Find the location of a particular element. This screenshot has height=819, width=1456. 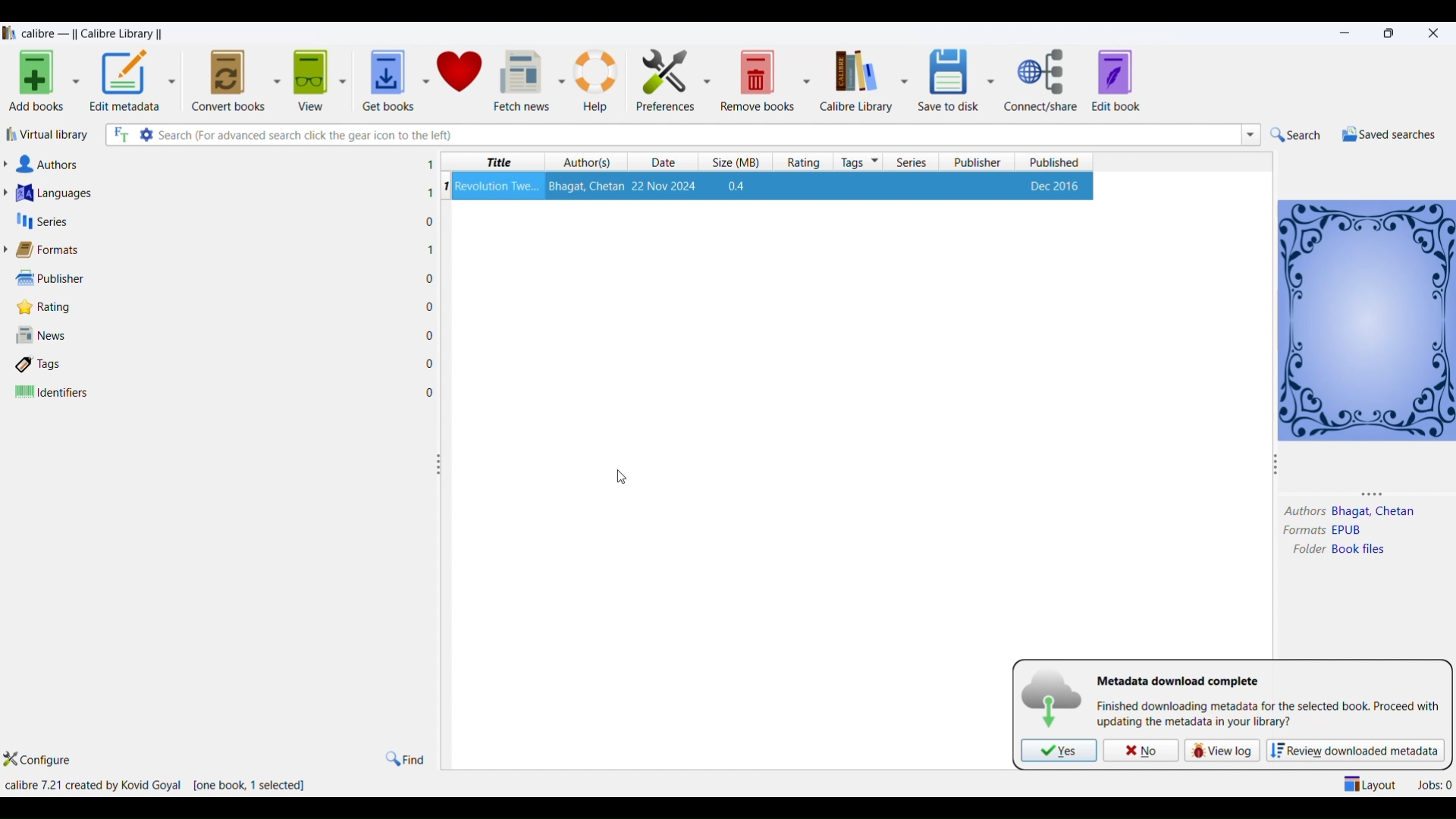

search box  is located at coordinates (697, 134).